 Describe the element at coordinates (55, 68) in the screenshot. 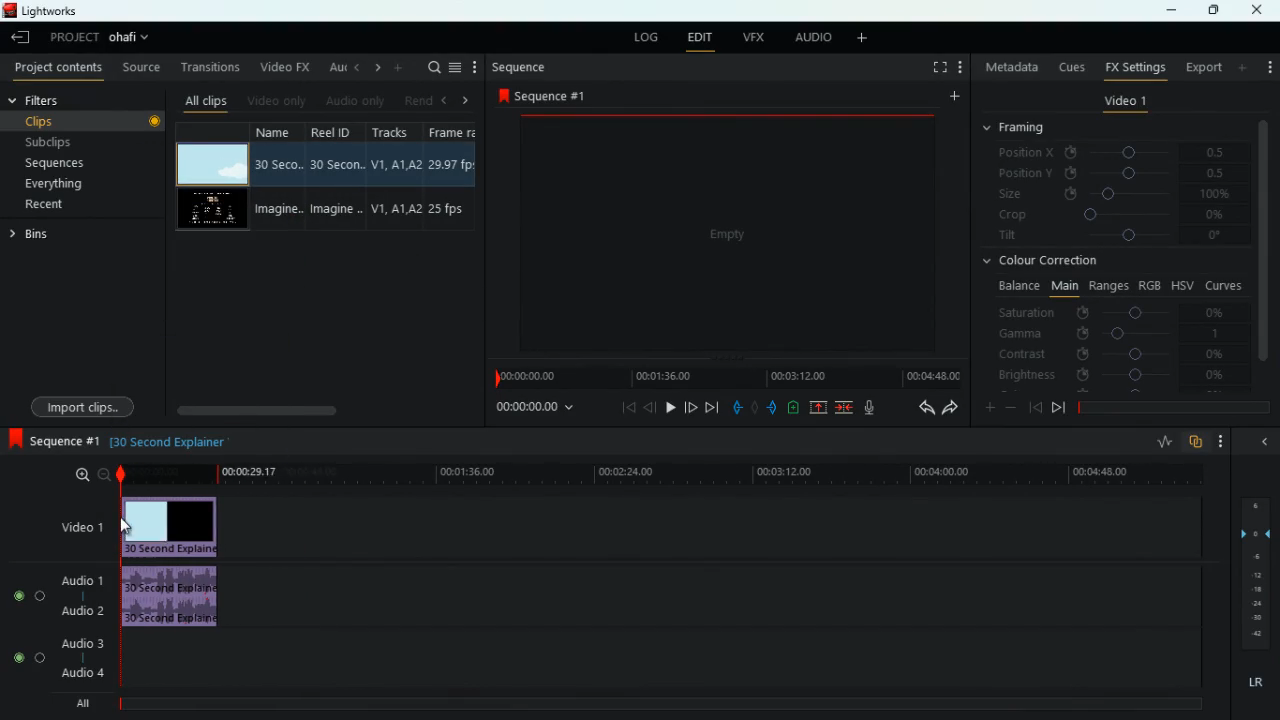

I see `project contents` at that location.